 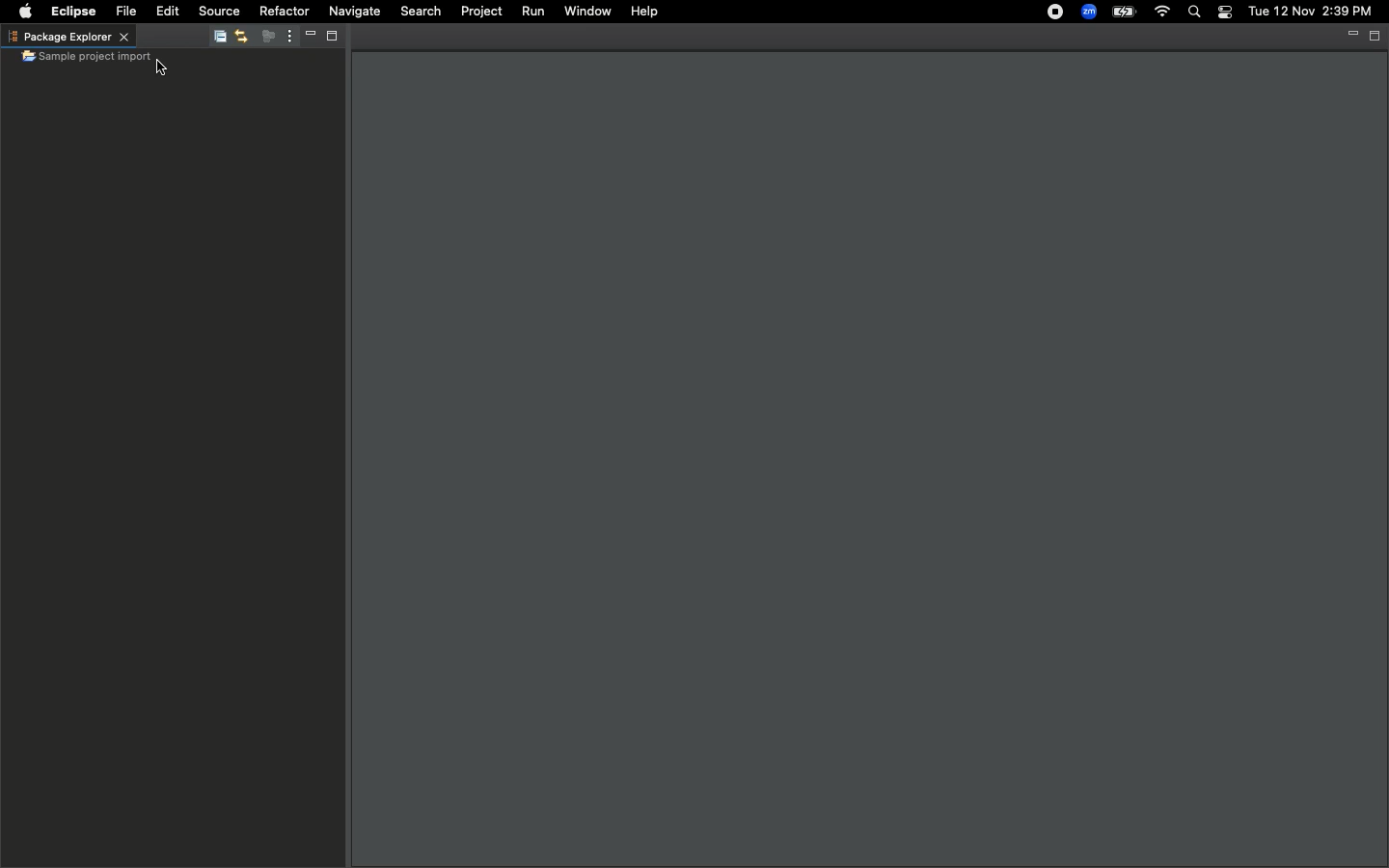 I want to click on View menu, so click(x=286, y=37).